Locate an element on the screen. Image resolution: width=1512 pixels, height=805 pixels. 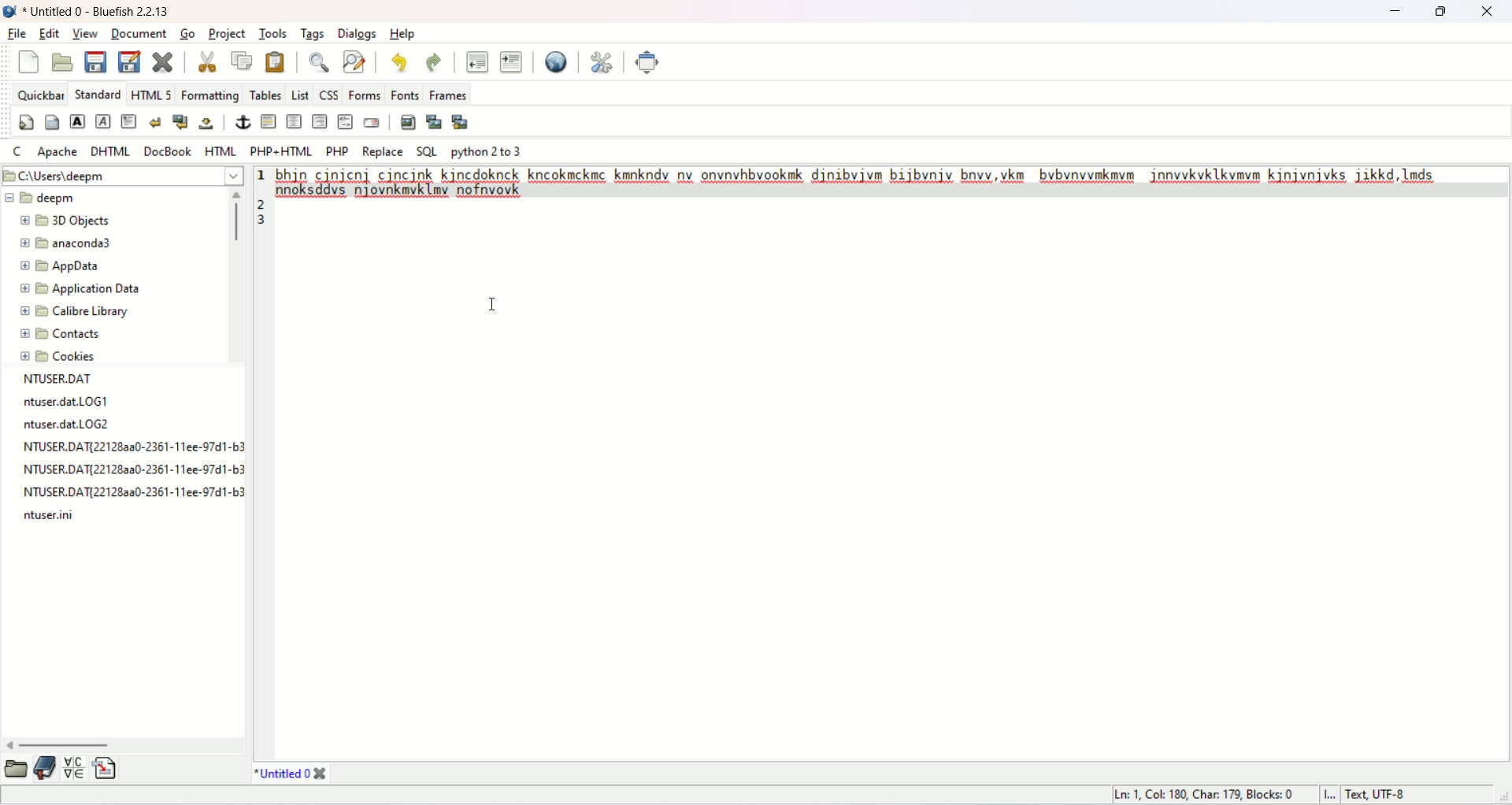
formatting is located at coordinates (210, 95).